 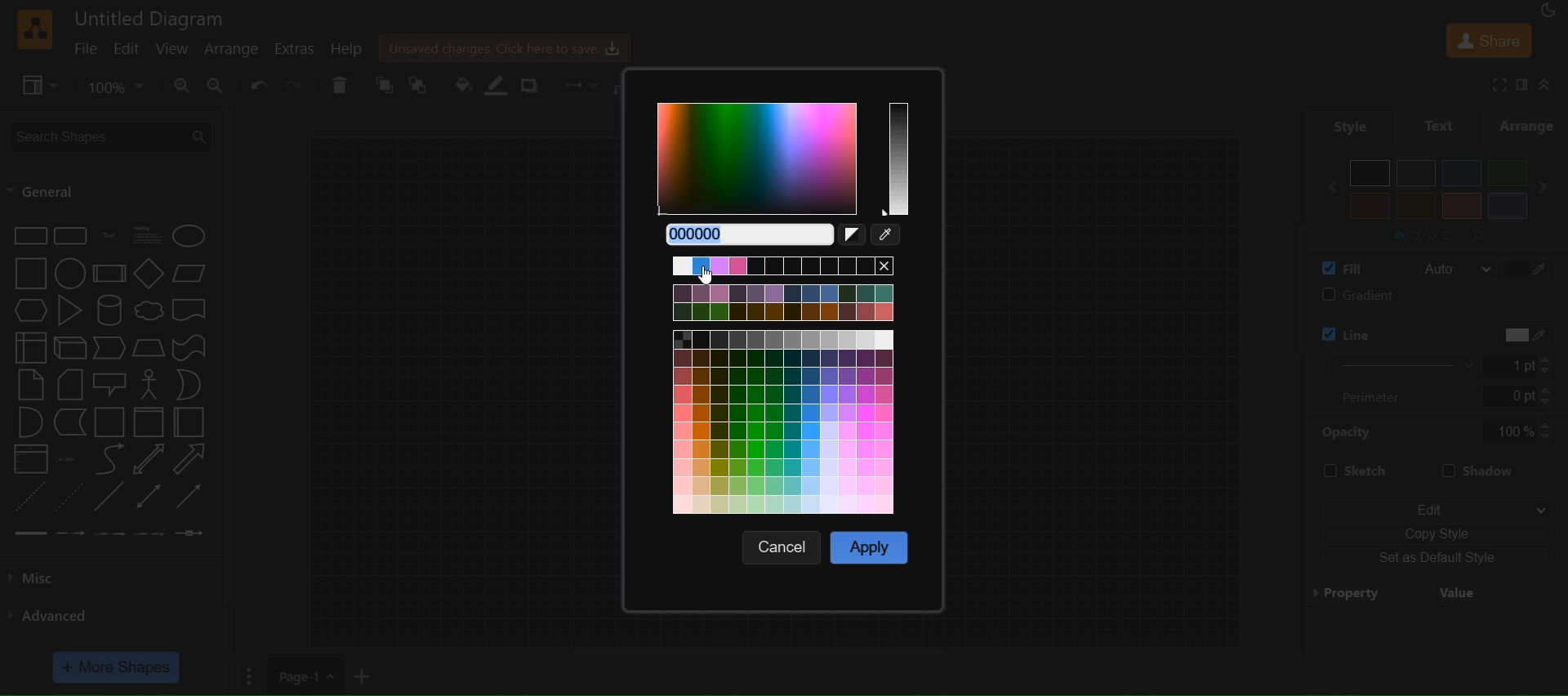 I want to click on color , so click(x=784, y=161).